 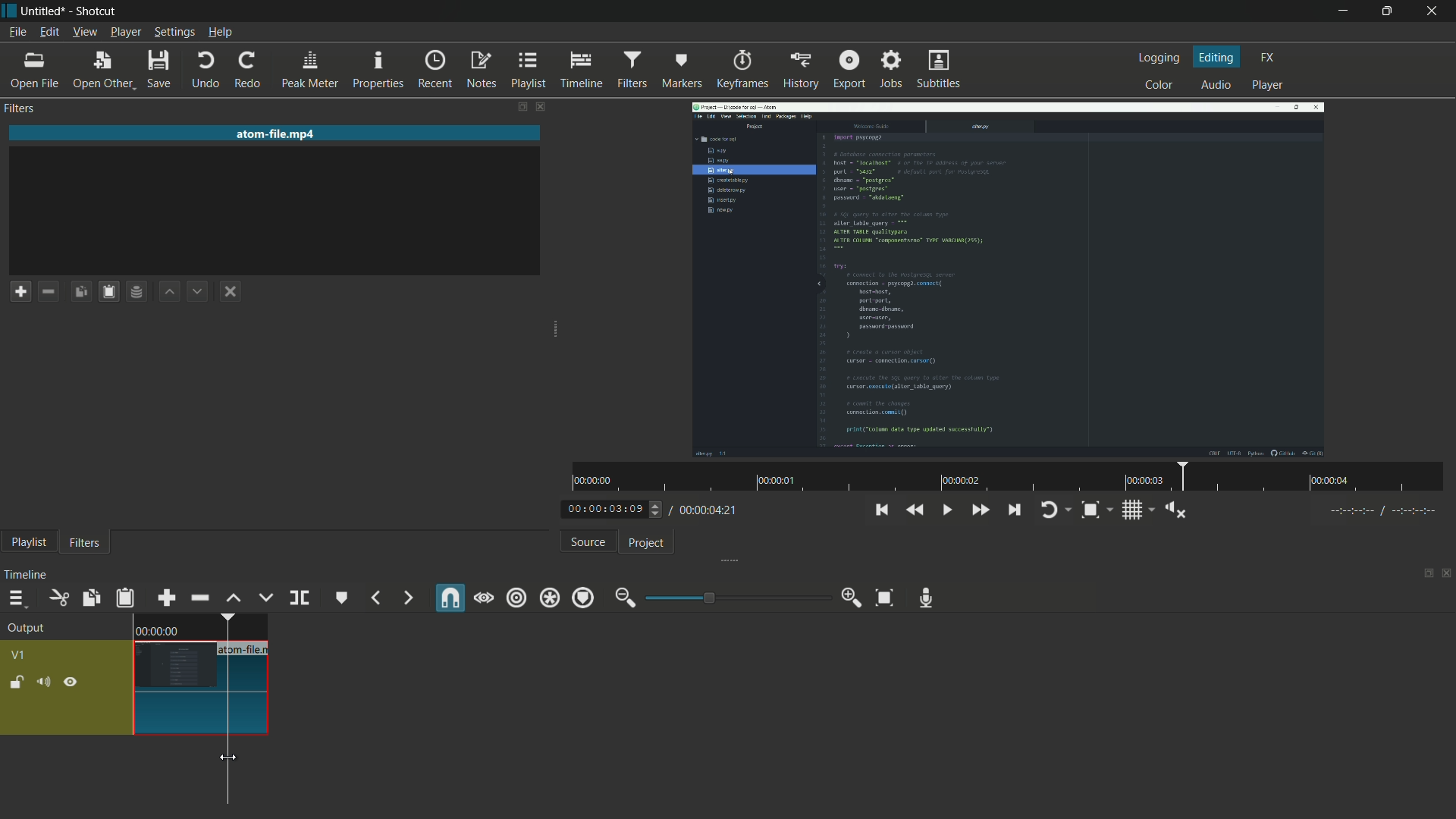 What do you see at coordinates (375, 598) in the screenshot?
I see `previous marker` at bounding box center [375, 598].